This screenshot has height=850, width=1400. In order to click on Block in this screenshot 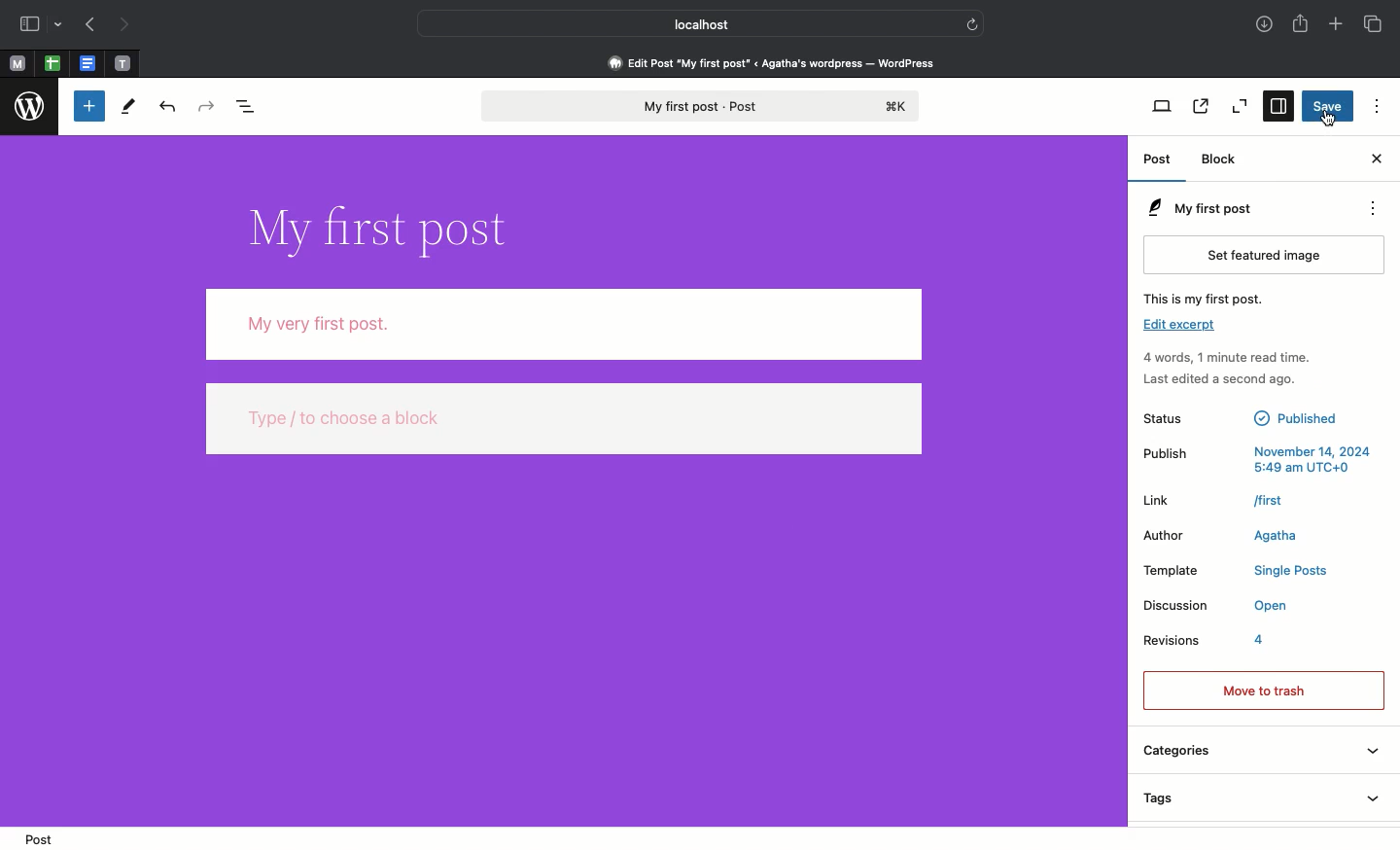, I will do `click(1224, 159)`.